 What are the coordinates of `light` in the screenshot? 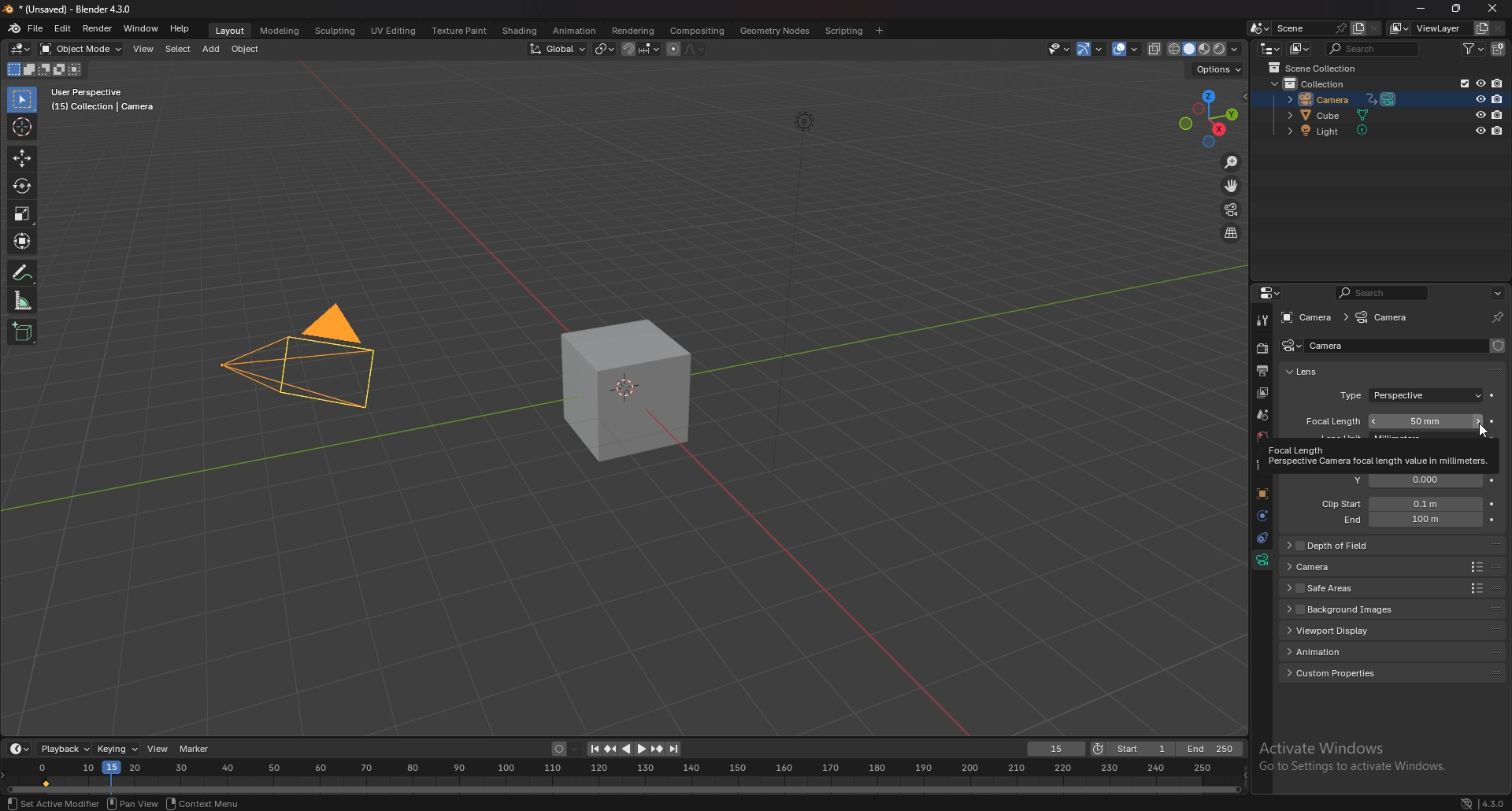 It's located at (1333, 132).